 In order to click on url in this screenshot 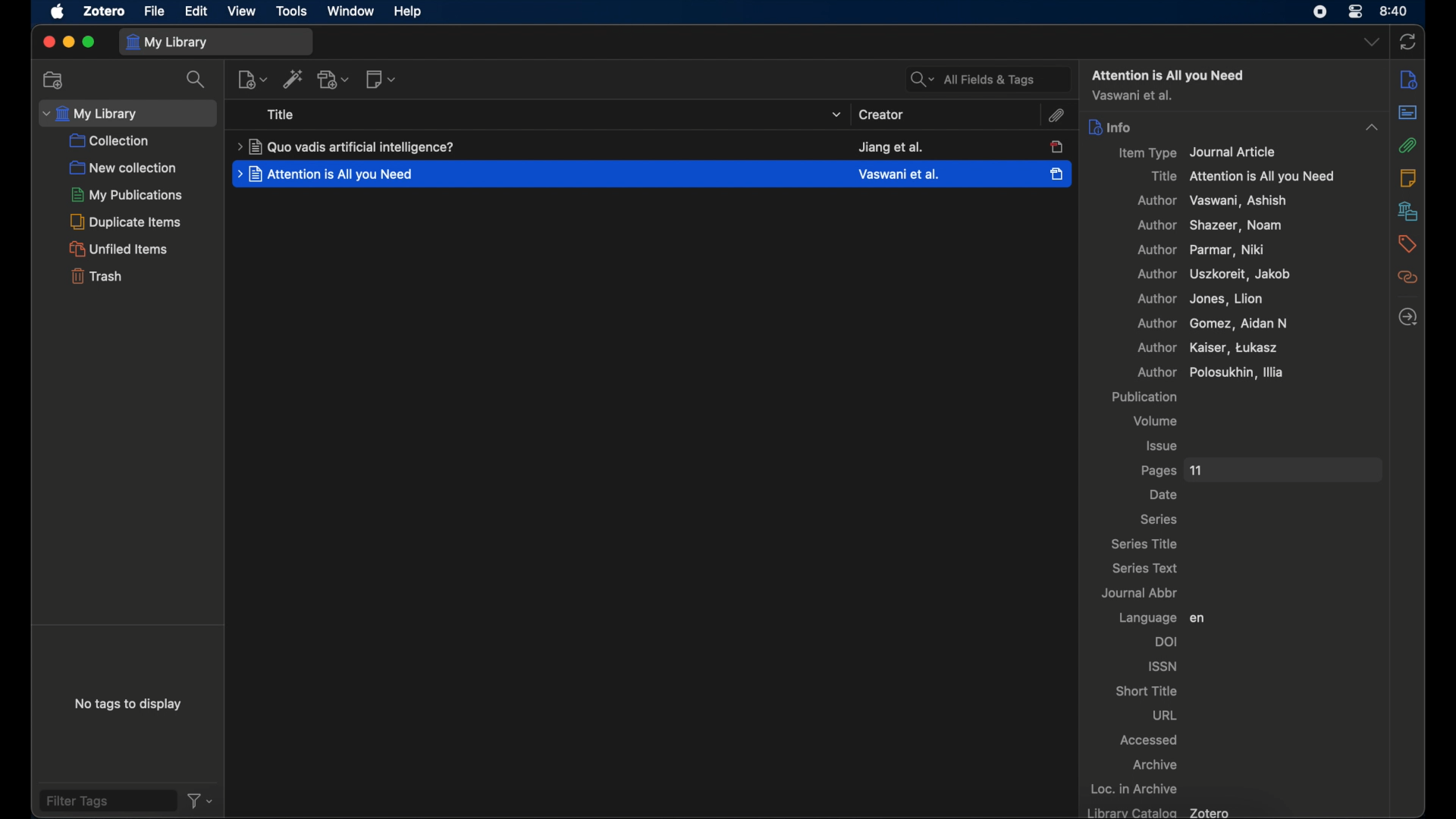, I will do `click(1166, 717)`.